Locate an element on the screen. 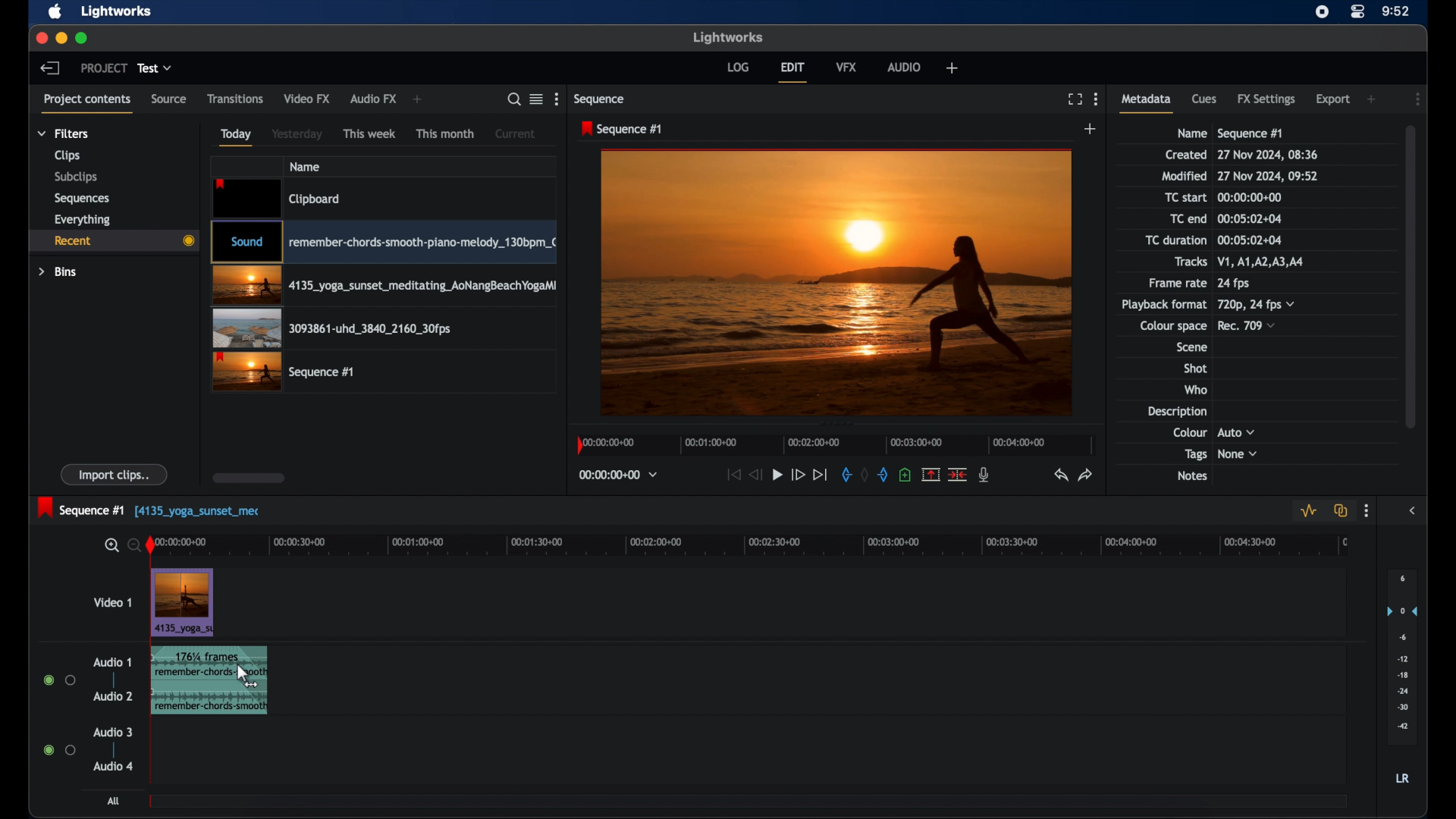 The height and width of the screenshot is (819, 1456). add is located at coordinates (1091, 128).